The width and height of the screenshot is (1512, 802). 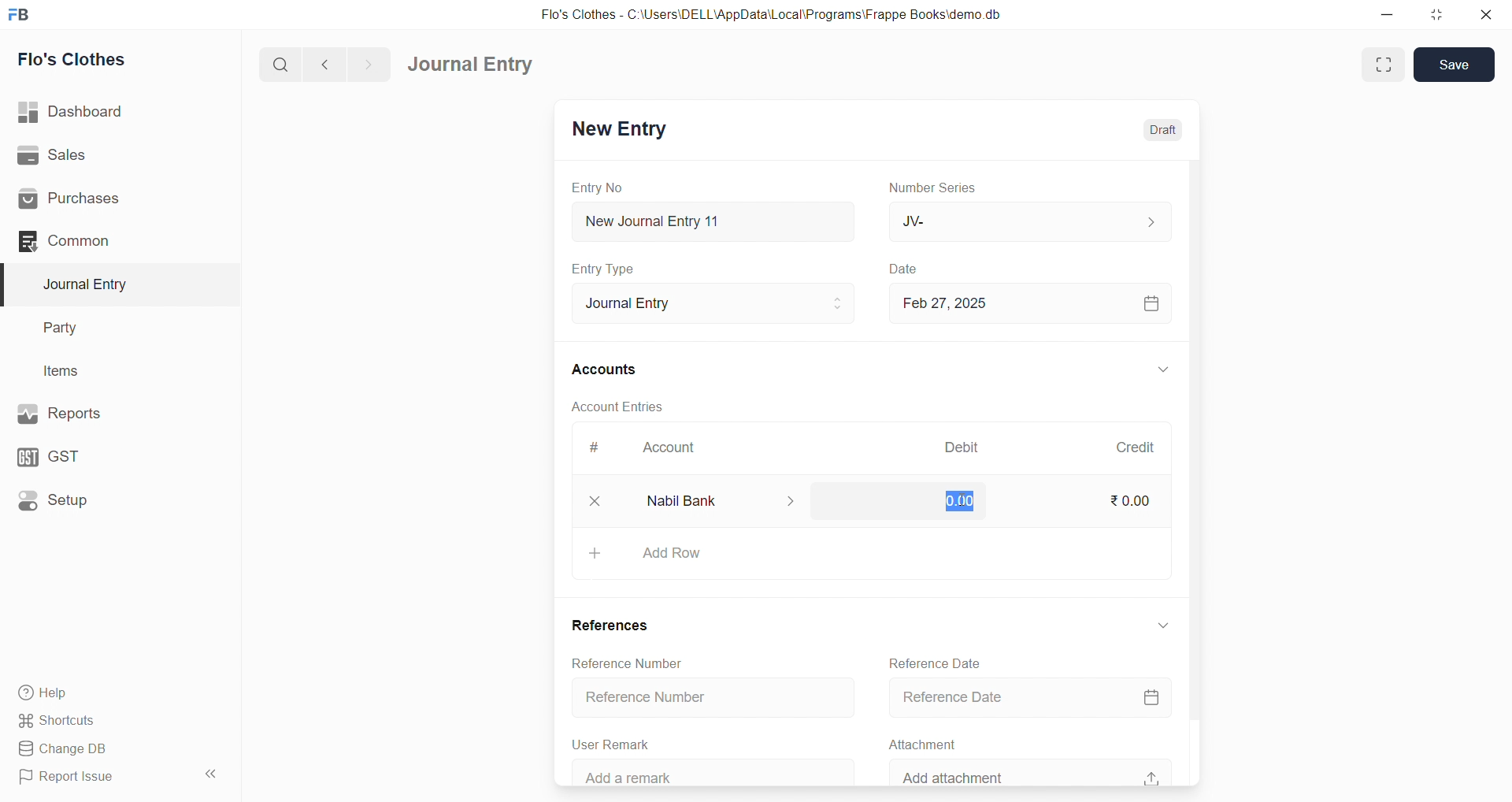 What do you see at coordinates (9, 284) in the screenshot?
I see `selected` at bounding box center [9, 284].